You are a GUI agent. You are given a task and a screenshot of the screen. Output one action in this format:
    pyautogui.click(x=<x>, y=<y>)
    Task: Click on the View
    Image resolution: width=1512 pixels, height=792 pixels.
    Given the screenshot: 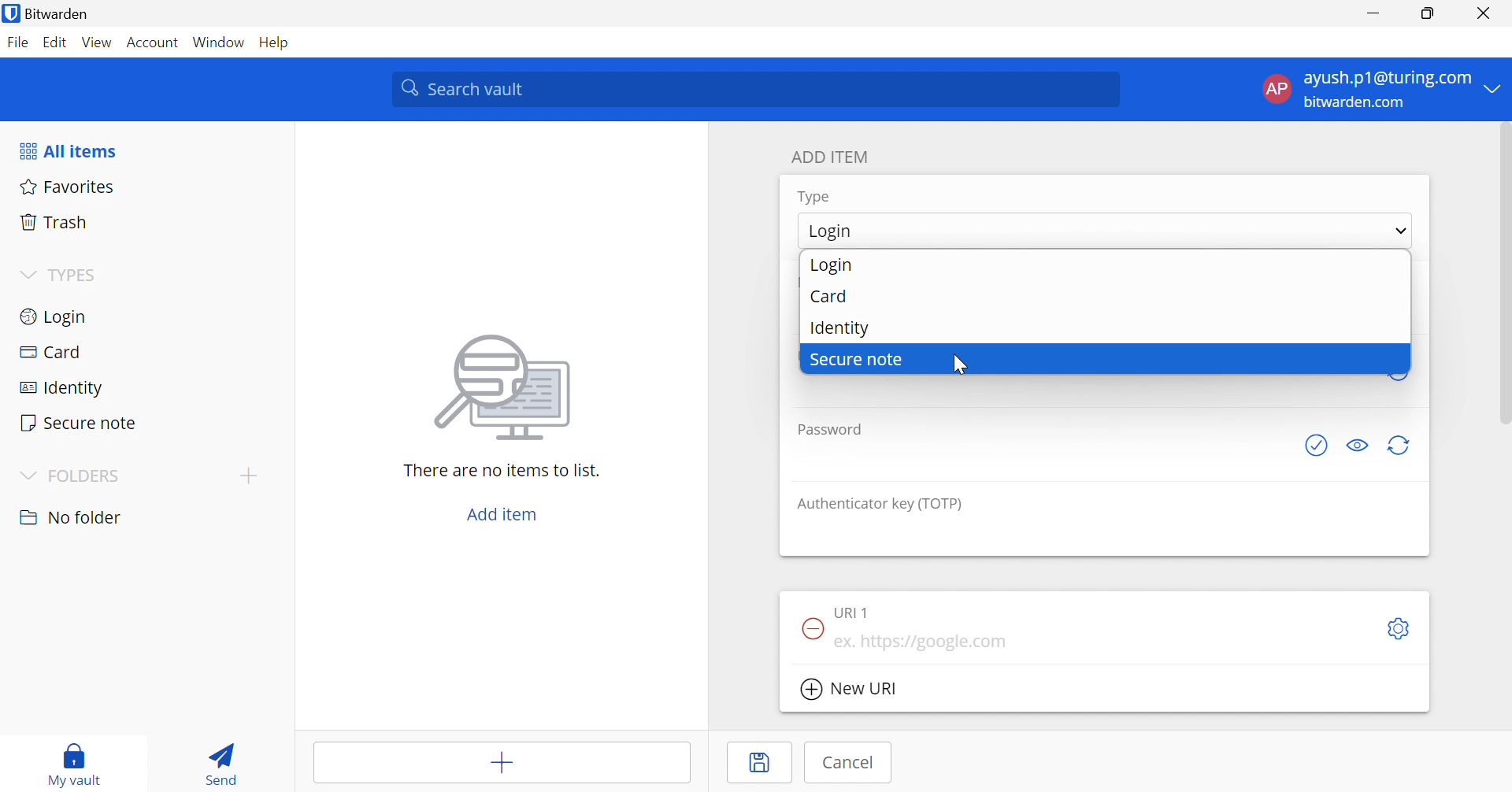 What is the action you would take?
    pyautogui.click(x=98, y=44)
    